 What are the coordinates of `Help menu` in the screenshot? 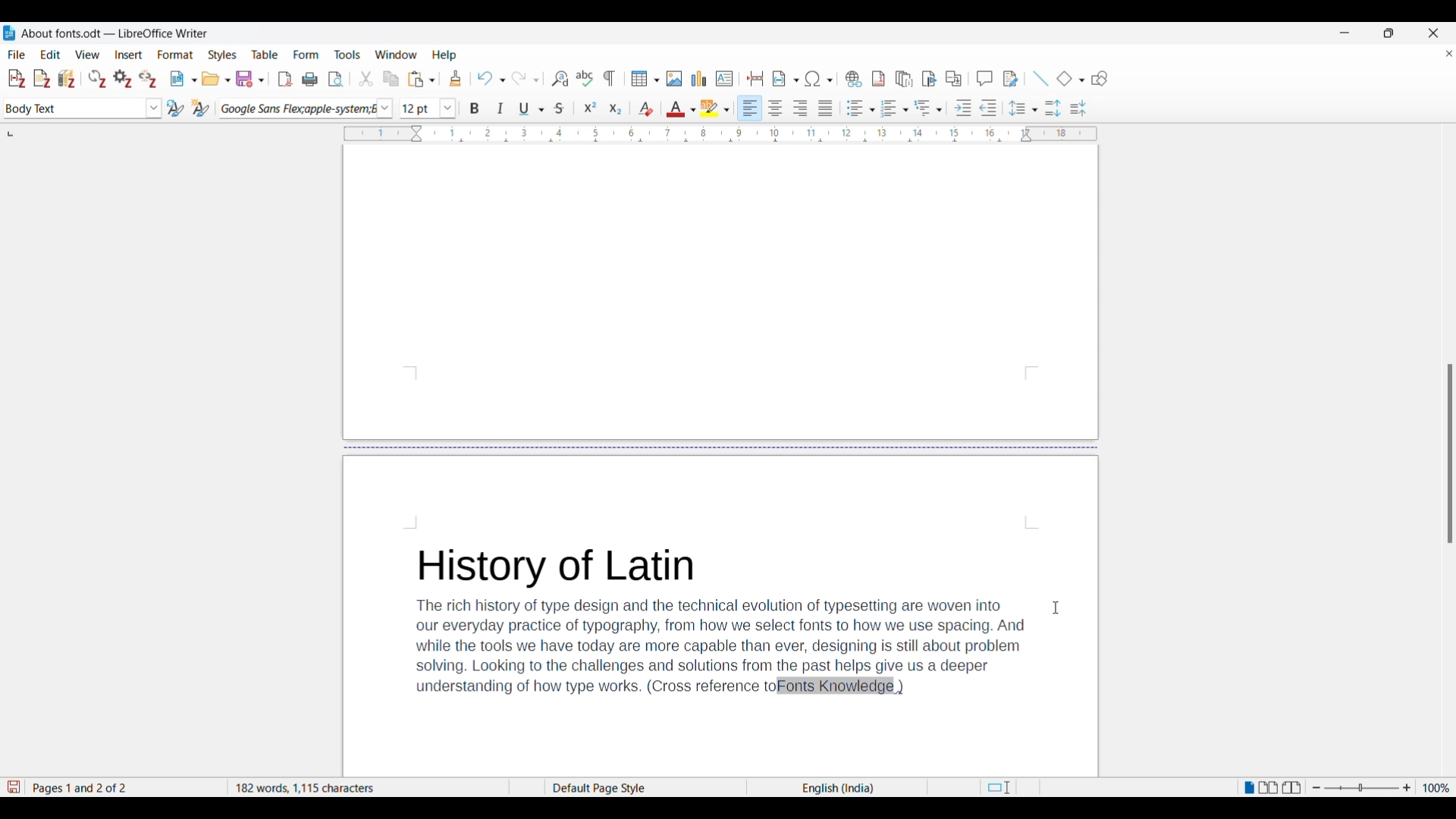 It's located at (444, 55).